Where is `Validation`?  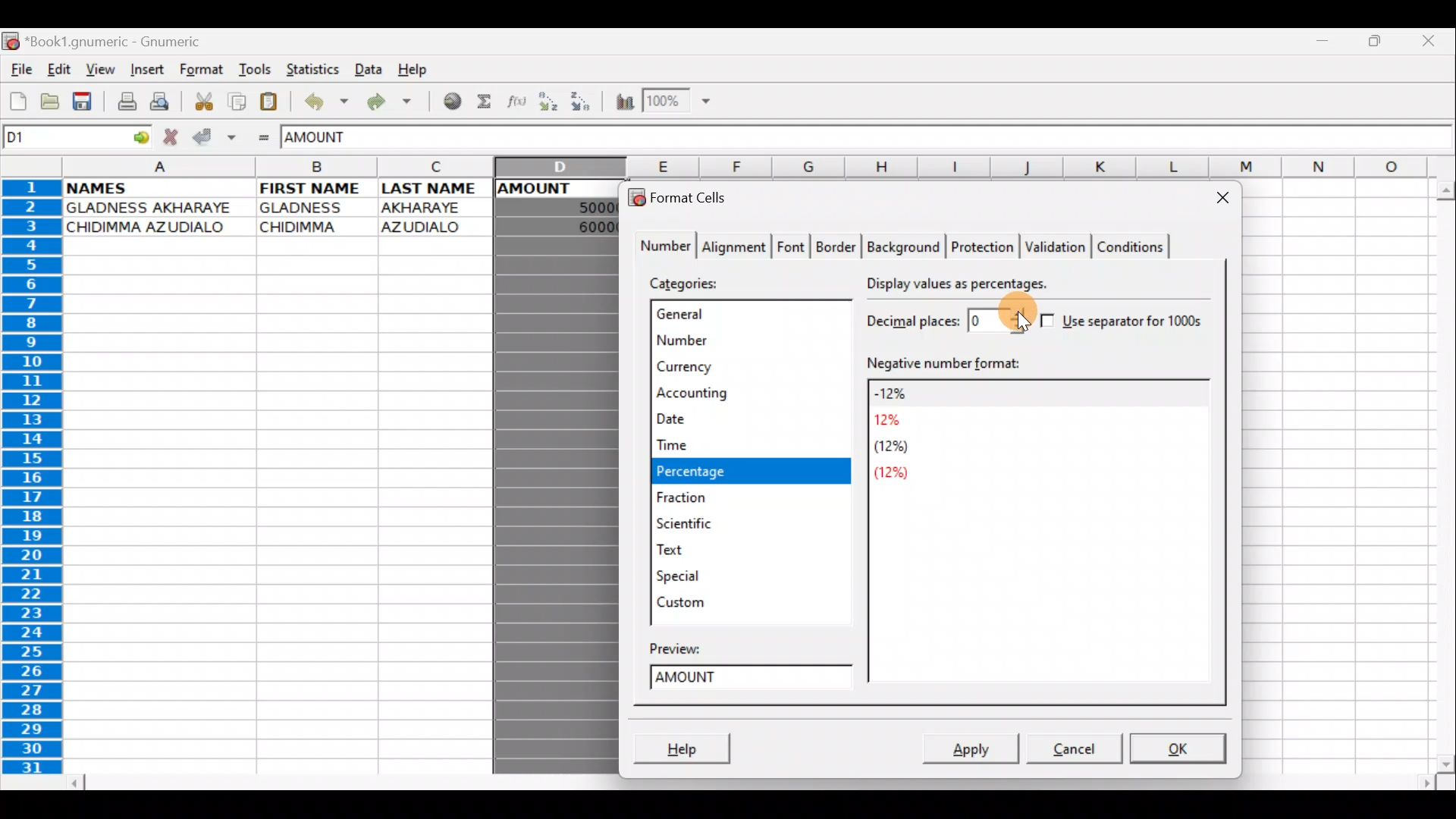 Validation is located at coordinates (1057, 248).